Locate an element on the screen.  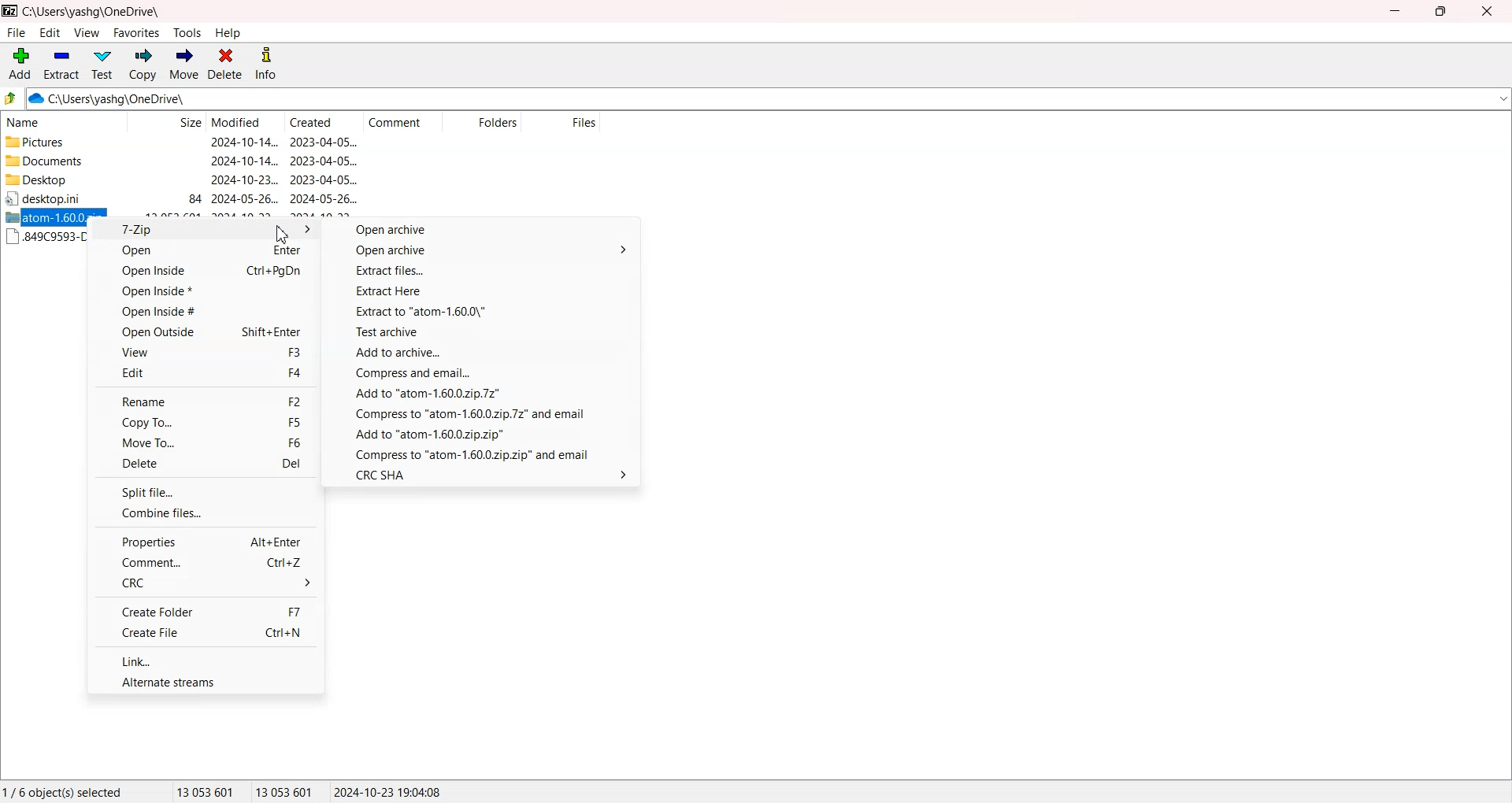
Desktop File is located at coordinates (60, 179).